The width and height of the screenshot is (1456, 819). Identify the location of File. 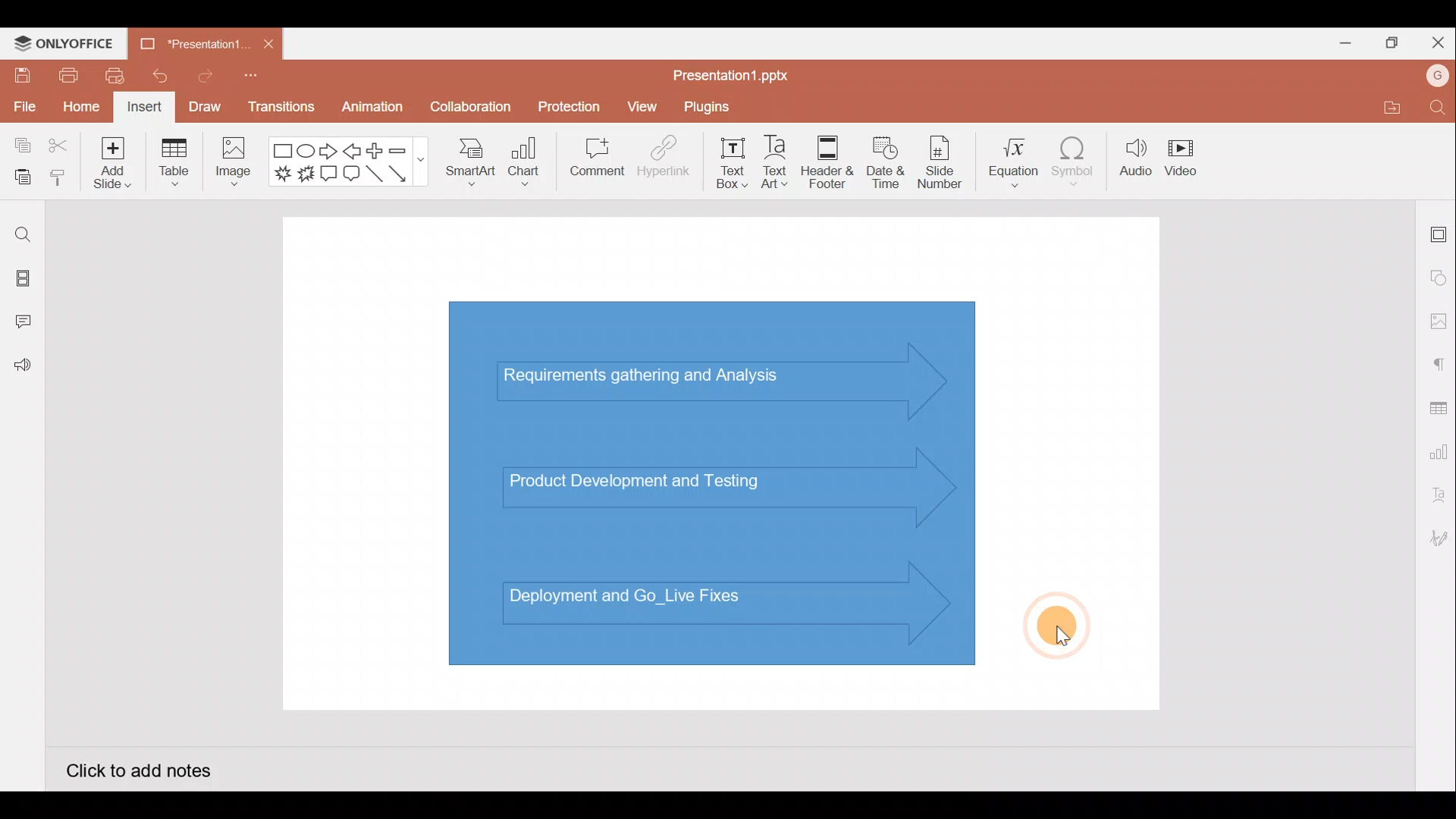
(23, 104).